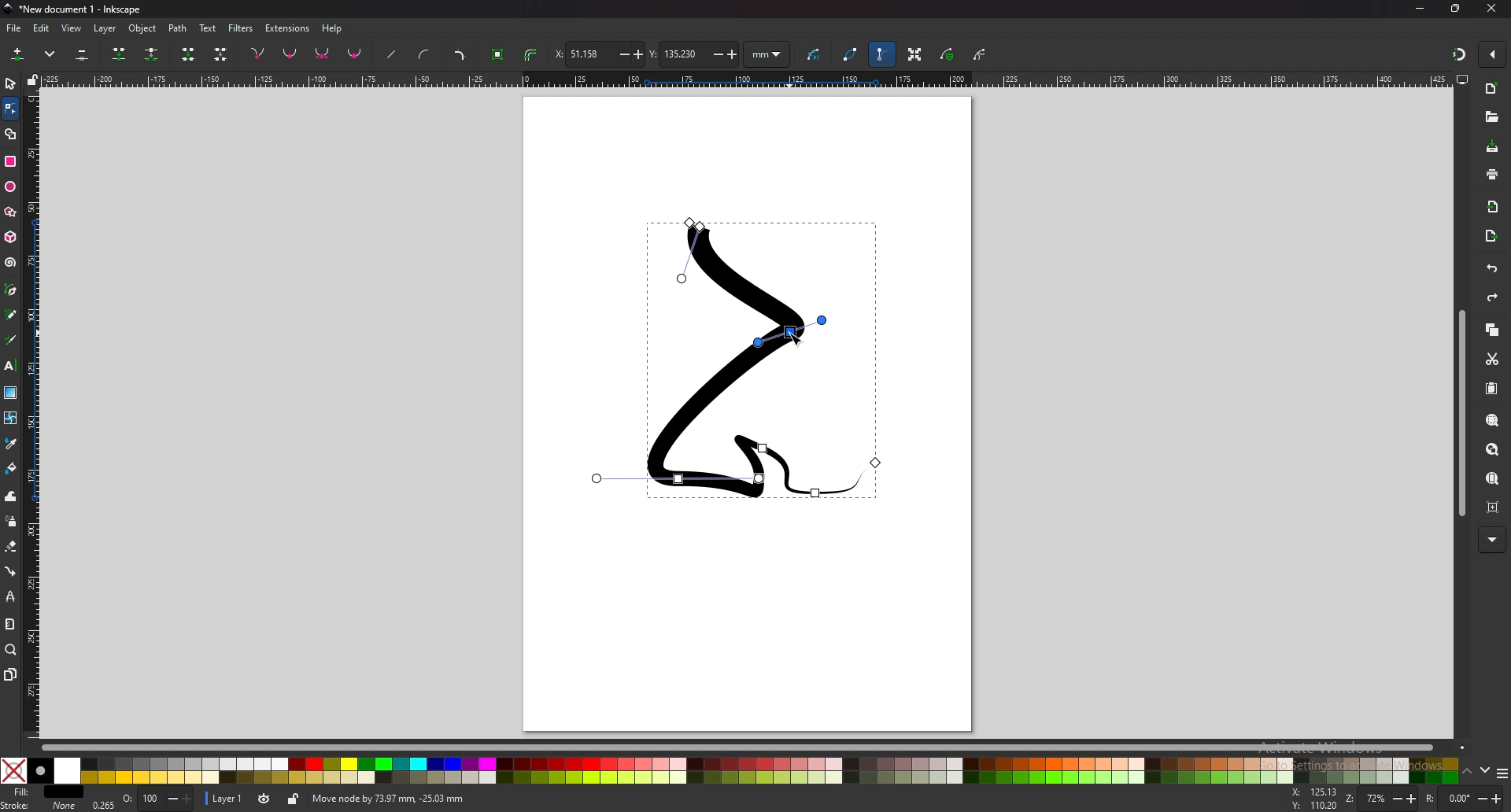 Image resolution: width=1511 pixels, height=812 pixels. I want to click on auto smooth, so click(355, 54).